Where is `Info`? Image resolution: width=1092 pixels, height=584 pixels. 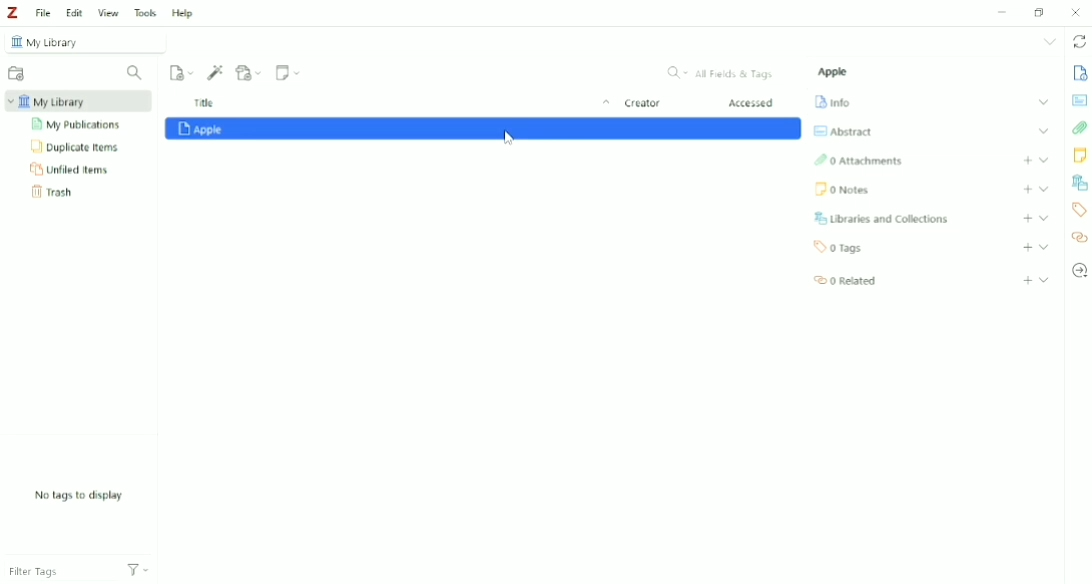
Info is located at coordinates (834, 102).